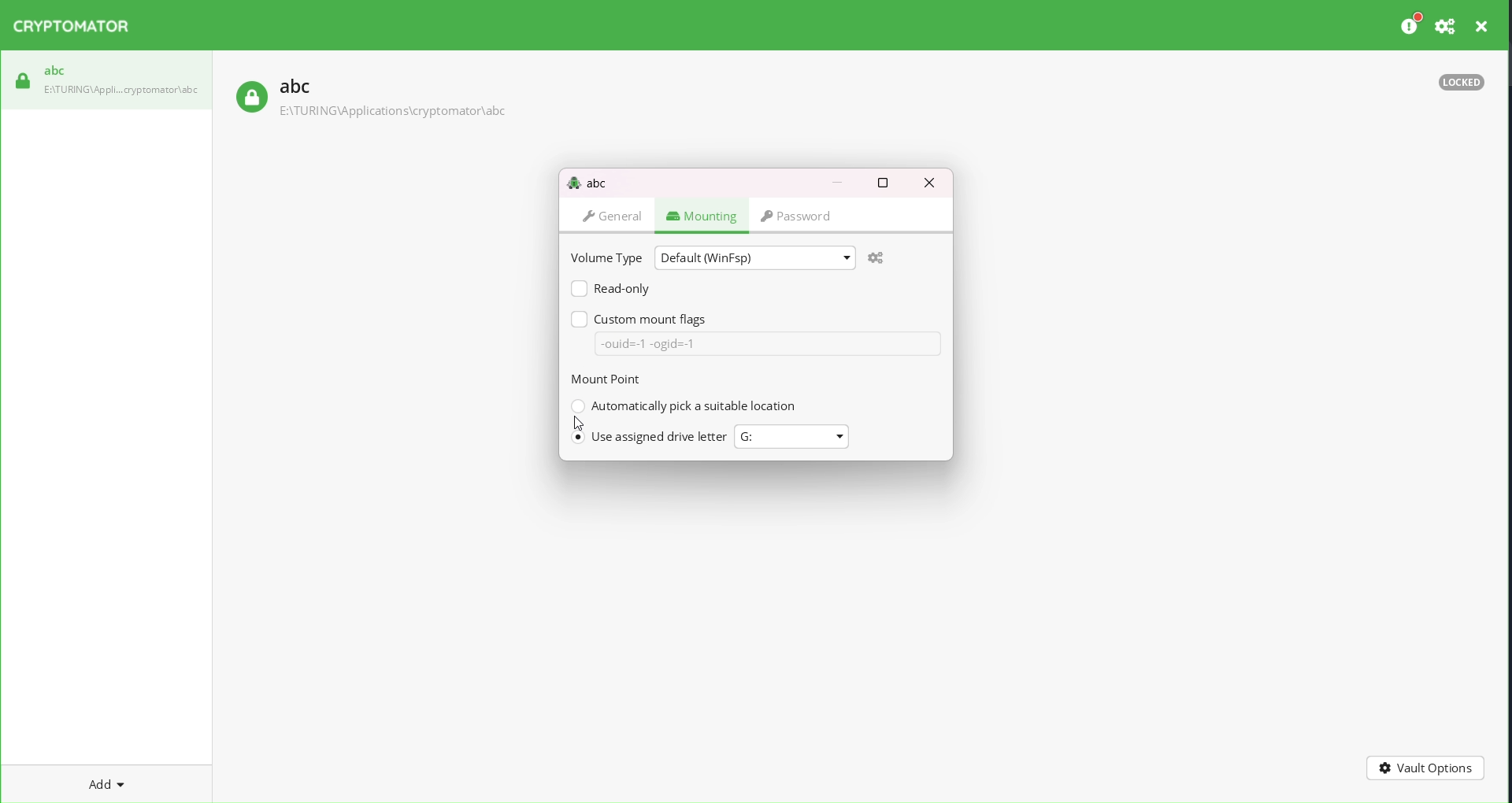  What do you see at coordinates (876, 257) in the screenshot?
I see `settings` at bounding box center [876, 257].